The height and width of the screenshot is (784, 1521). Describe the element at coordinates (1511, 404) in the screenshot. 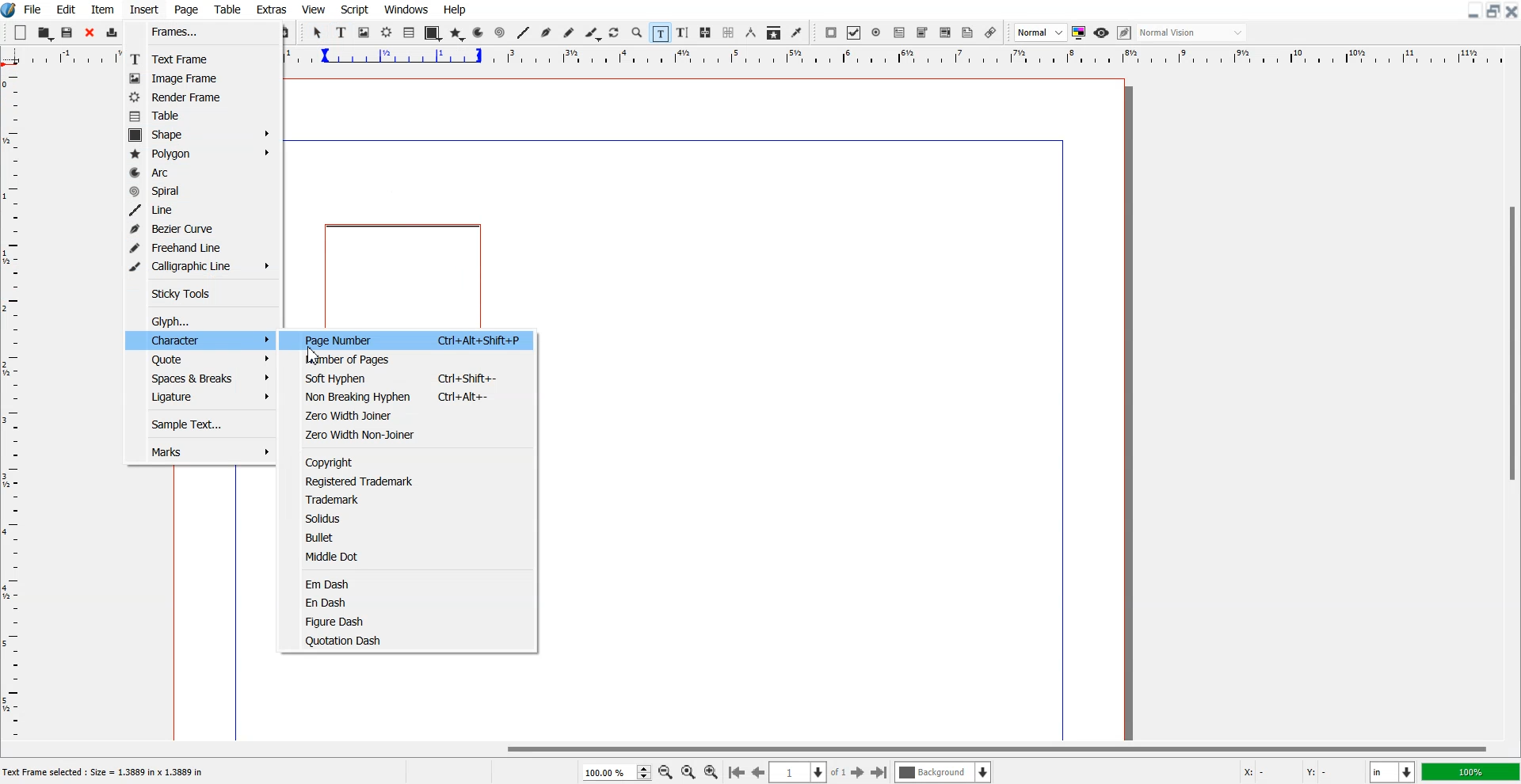

I see `Vertical Scroll bar` at that location.